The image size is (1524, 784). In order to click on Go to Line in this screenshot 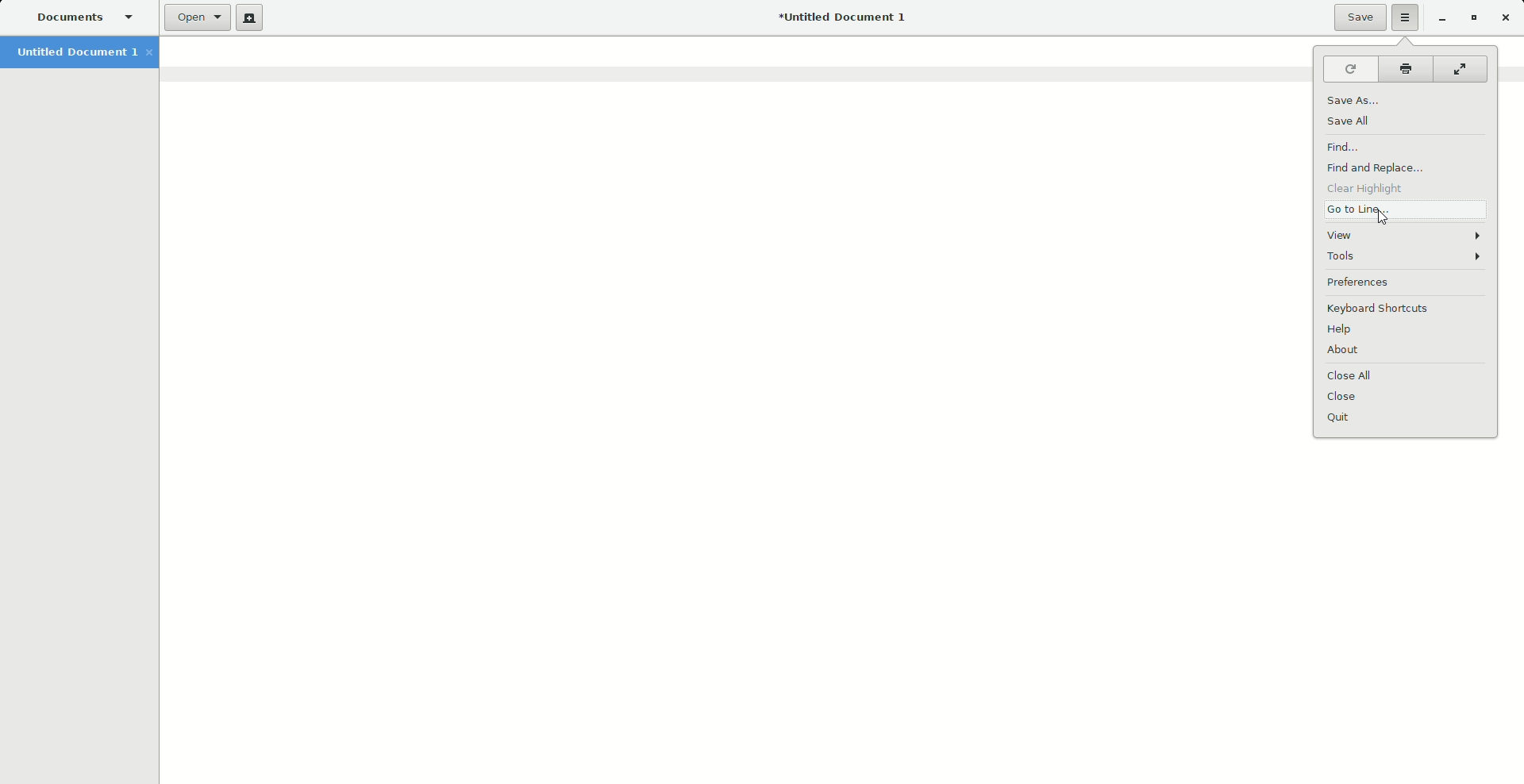, I will do `click(1405, 209)`.